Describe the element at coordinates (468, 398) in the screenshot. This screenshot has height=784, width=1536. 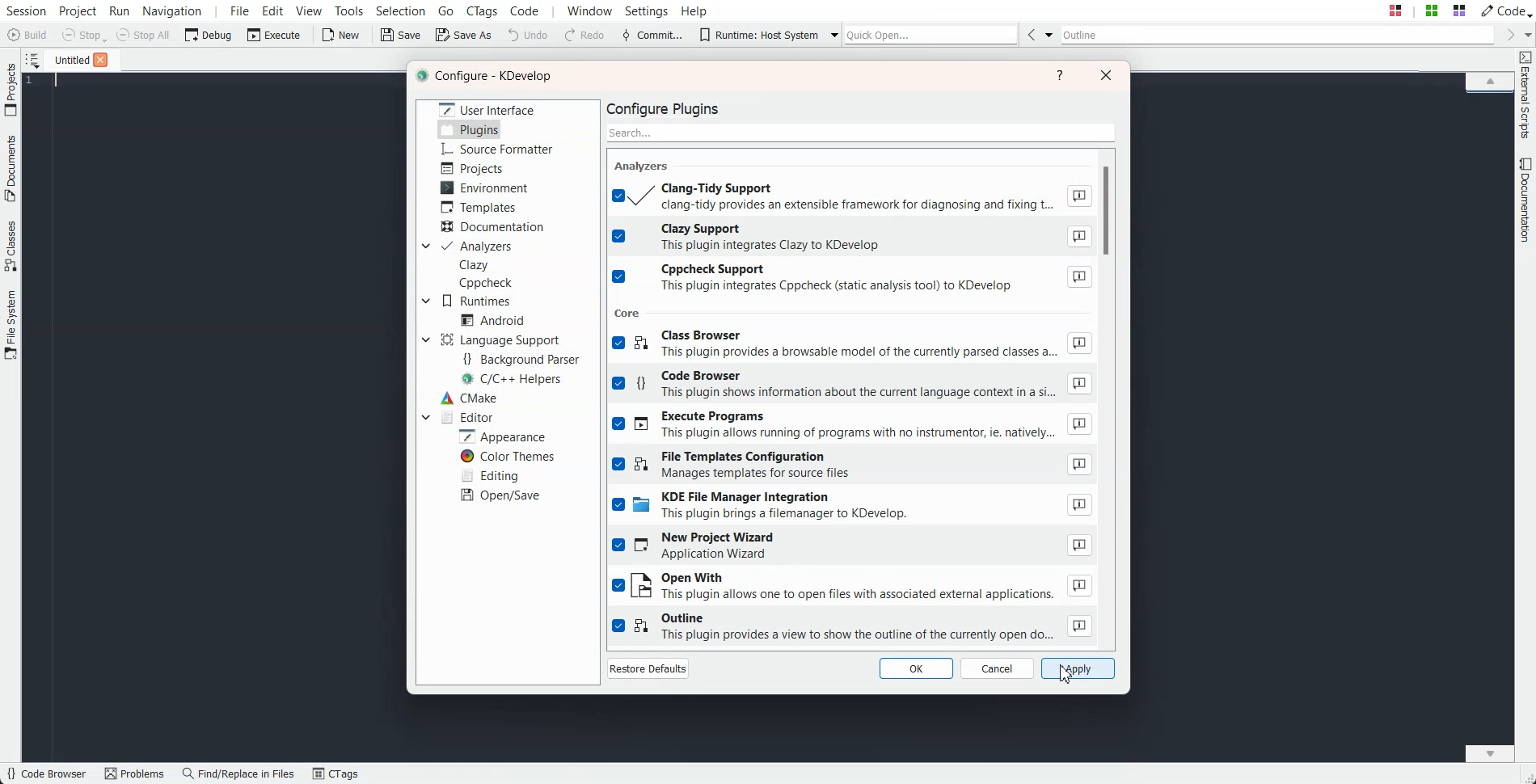
I see `CMake` at that location.